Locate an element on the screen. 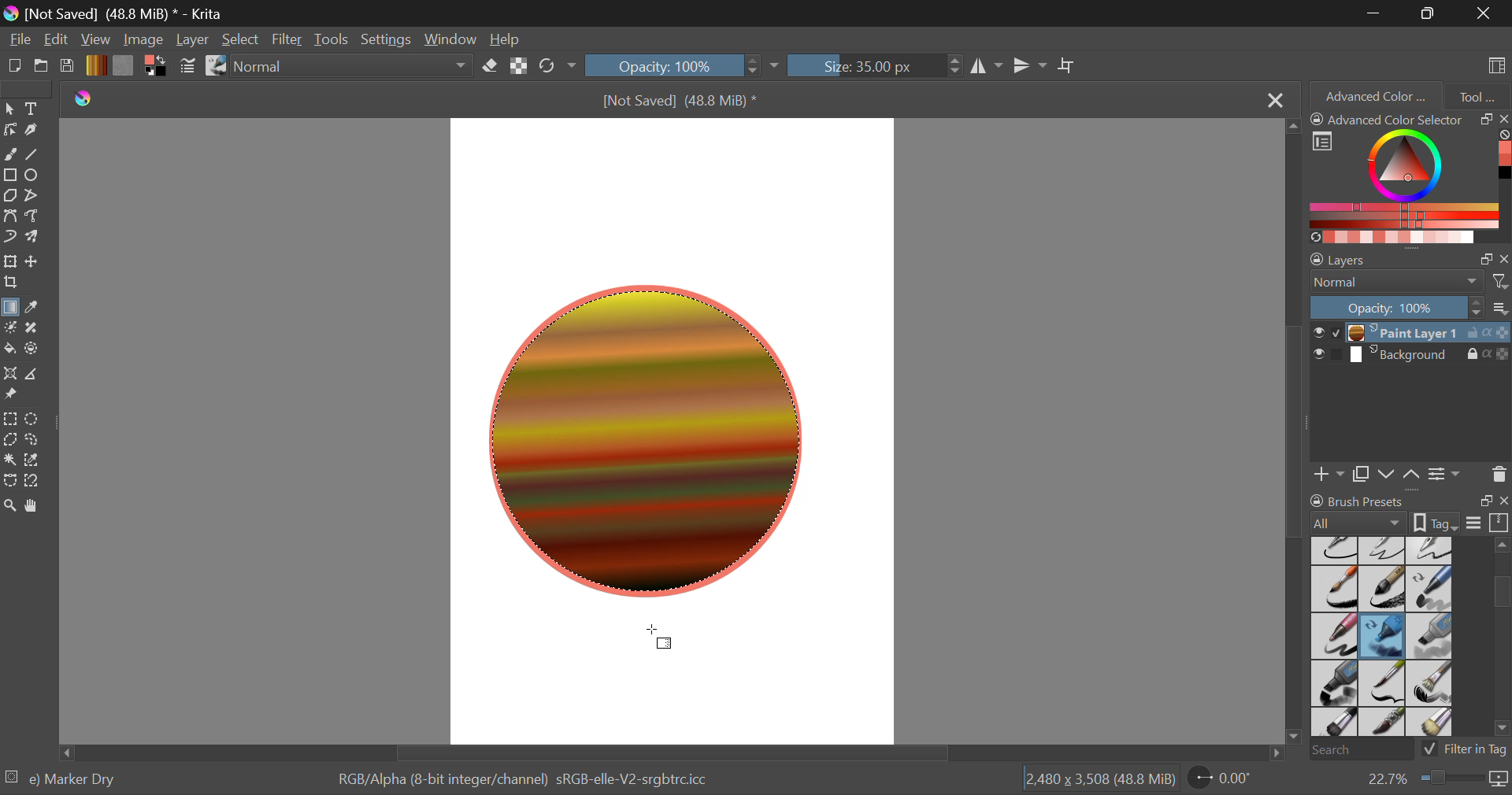  Magnetic Curve Selection is located at coordinates (38, 481).